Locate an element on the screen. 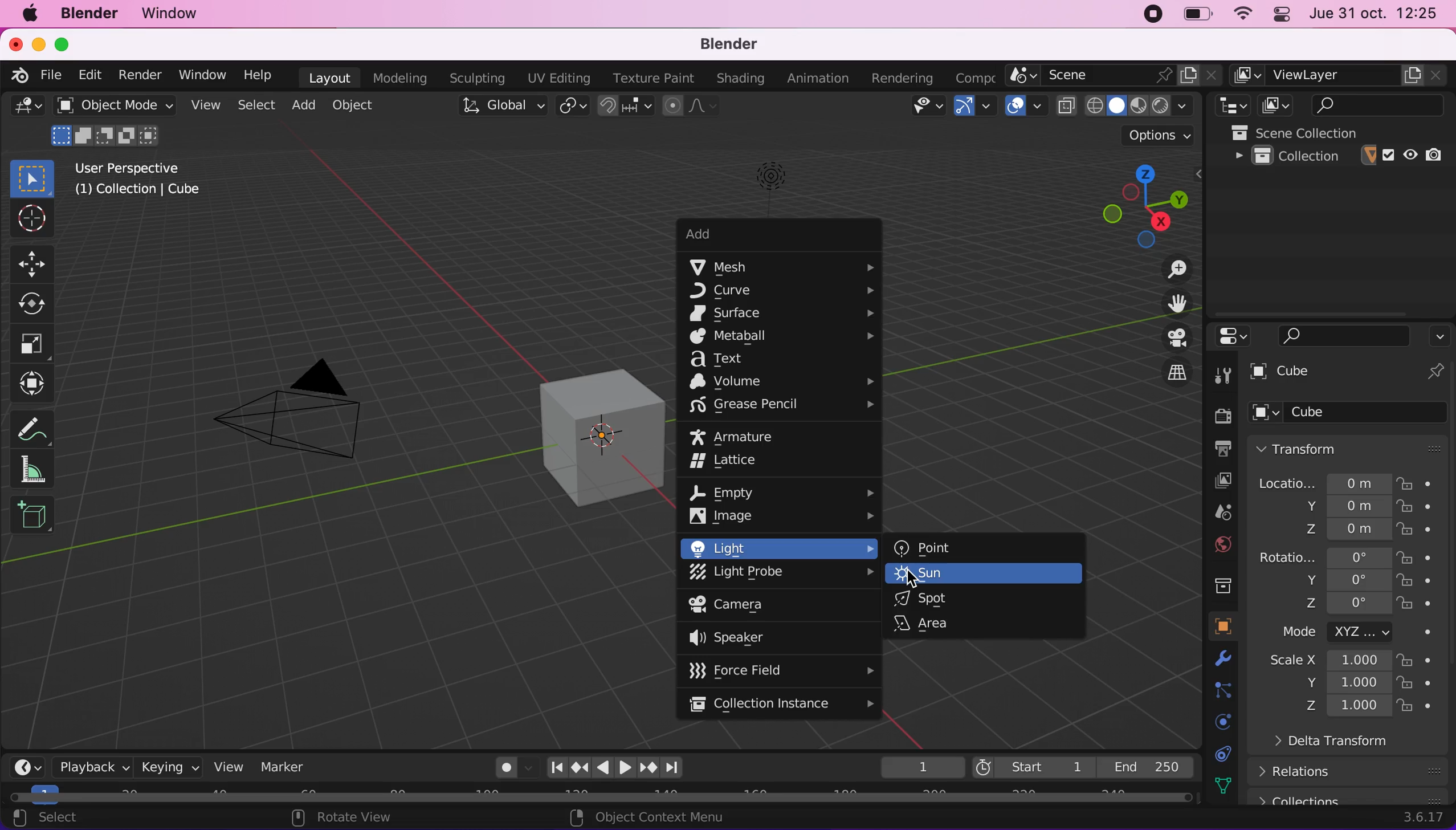 This screenshot has width=1456, height=830. view is located at coordinates (227, 765).